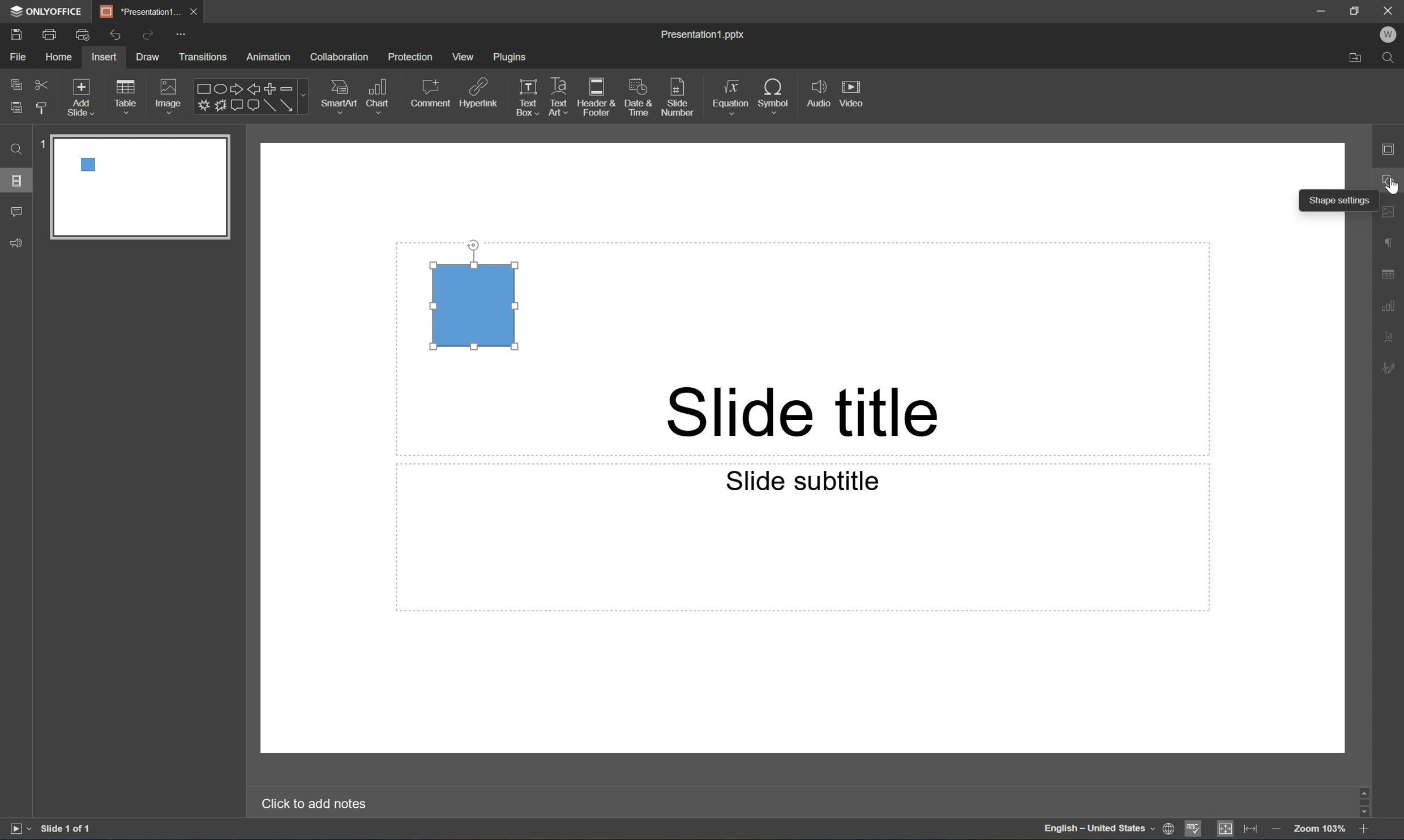  Describe the element at coordinates (135, 11) in the screenshot. I see `Presentation1...` at that location.